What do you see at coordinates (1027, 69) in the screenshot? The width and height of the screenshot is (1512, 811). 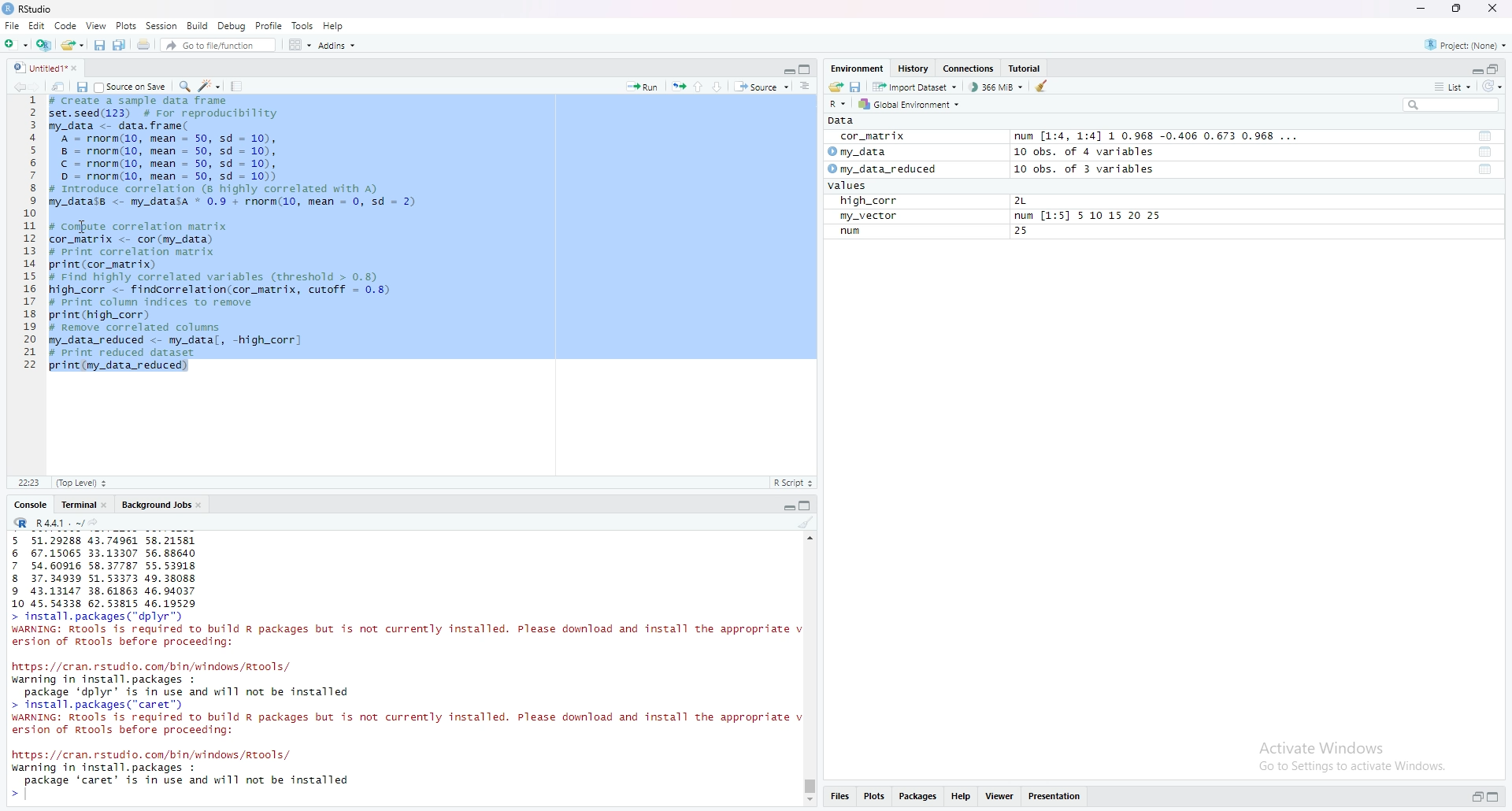 I see `Tutorial` at bounding box center [1027, 69].